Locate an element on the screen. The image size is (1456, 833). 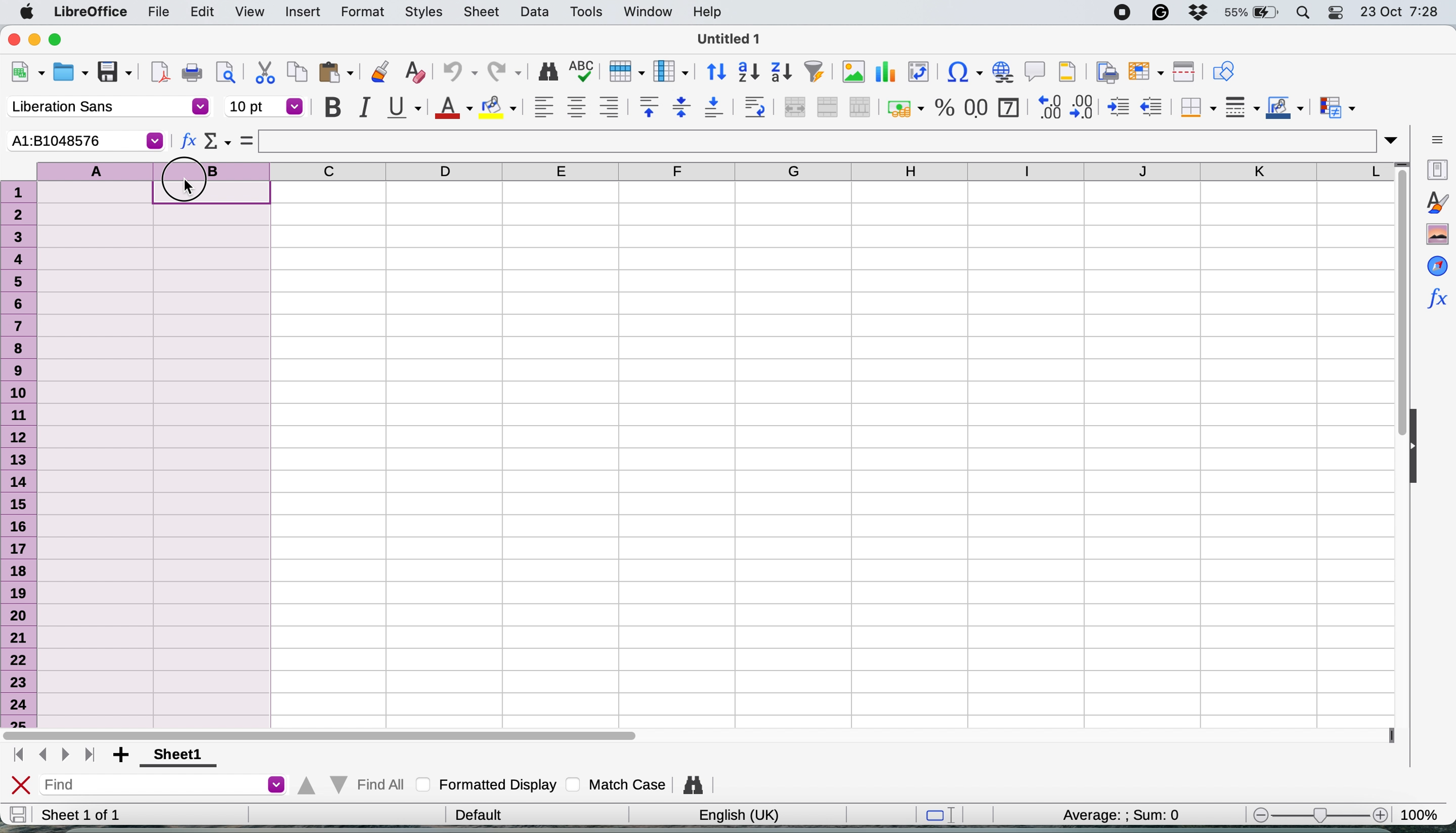
columns is located at coordinates (836, 173).